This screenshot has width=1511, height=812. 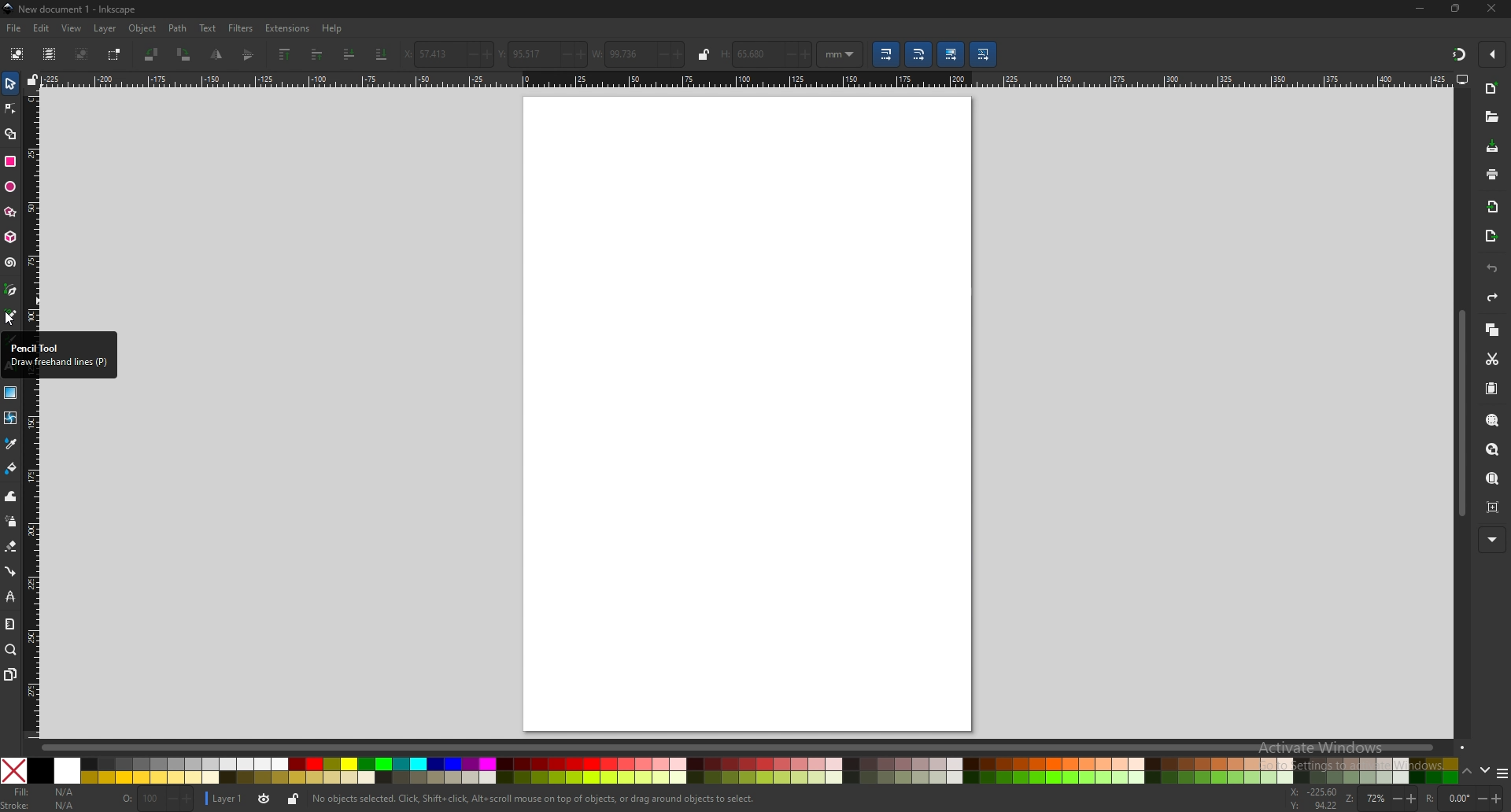 I want to click on eraser, so click(x=11, y=546).